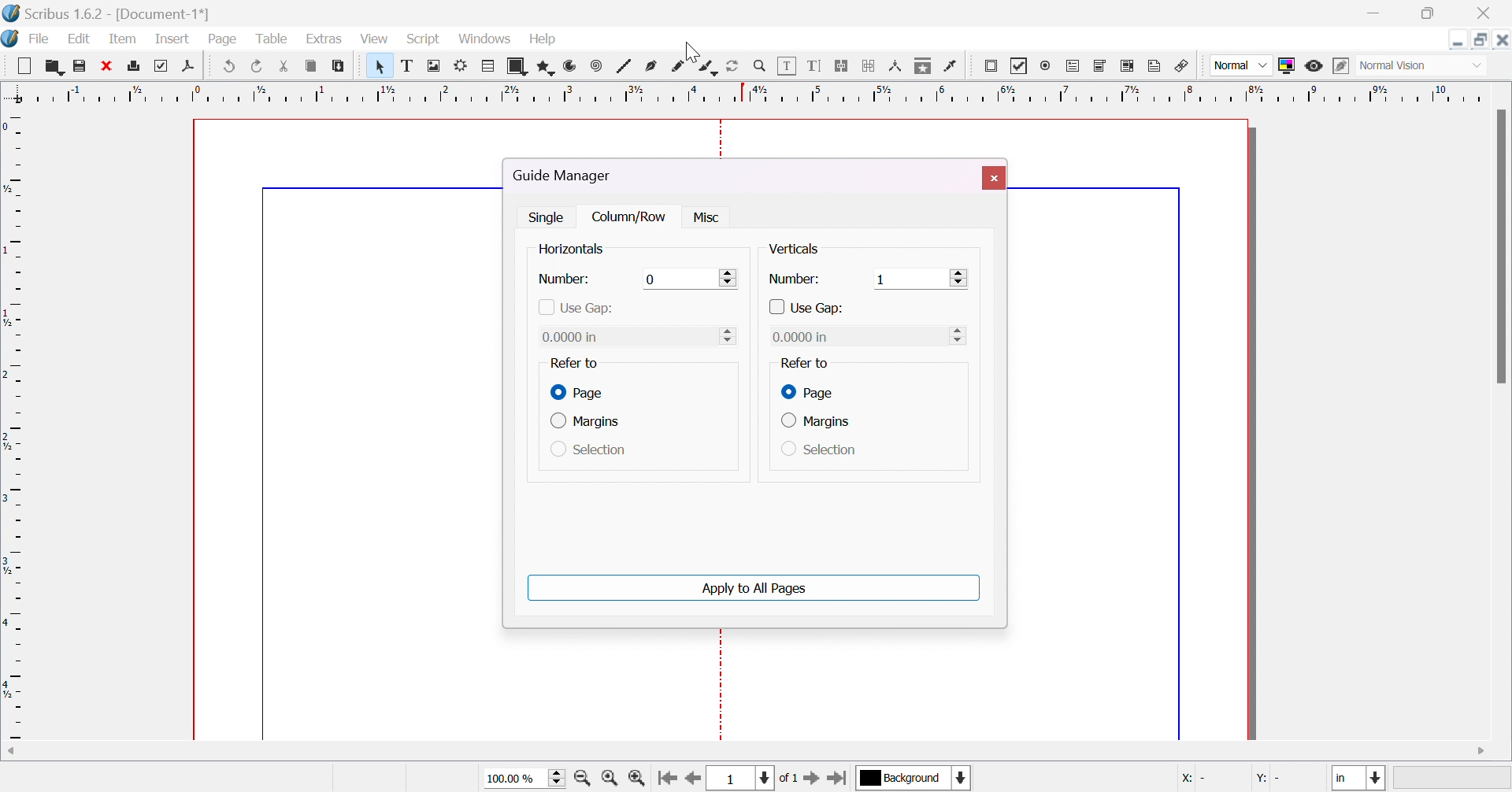  What do you see at coordinates (223, 36) in the screenshot?
I see `page` at bounding box center [223, 36].